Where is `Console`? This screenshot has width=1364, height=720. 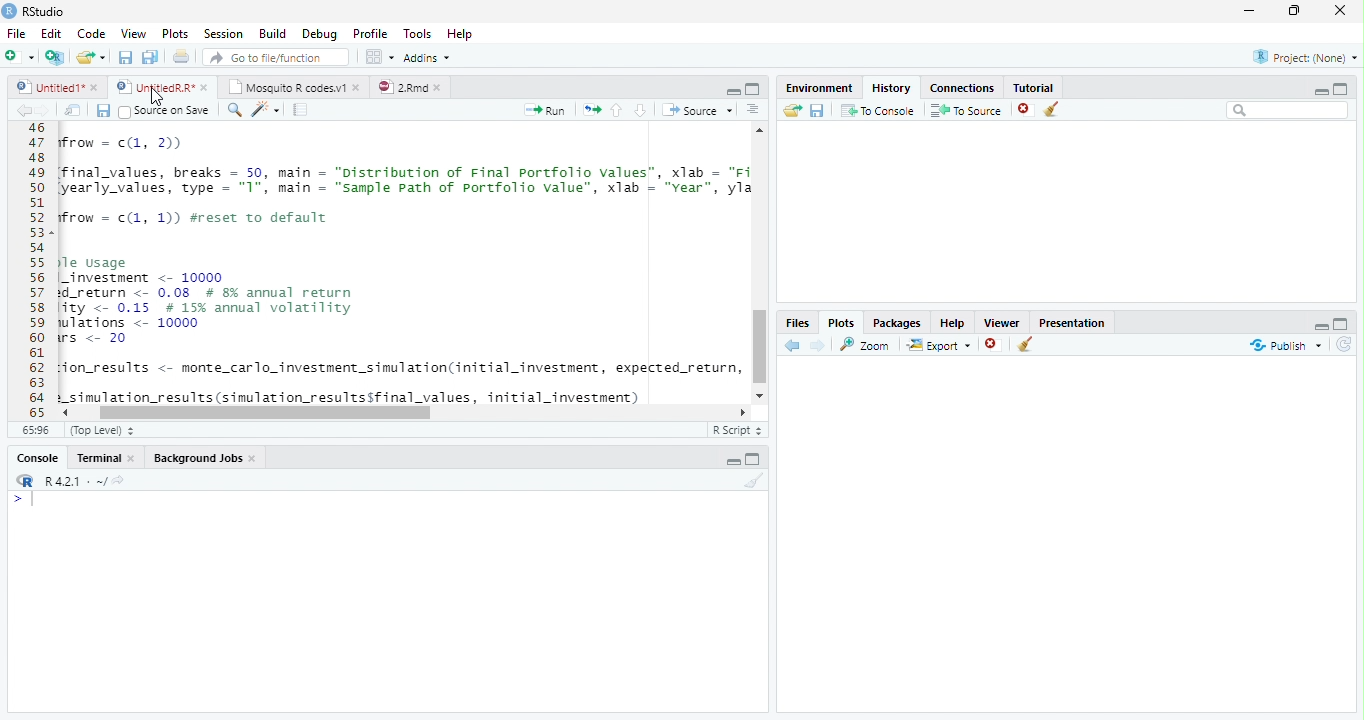
Console is located at coordinates (387, 601).